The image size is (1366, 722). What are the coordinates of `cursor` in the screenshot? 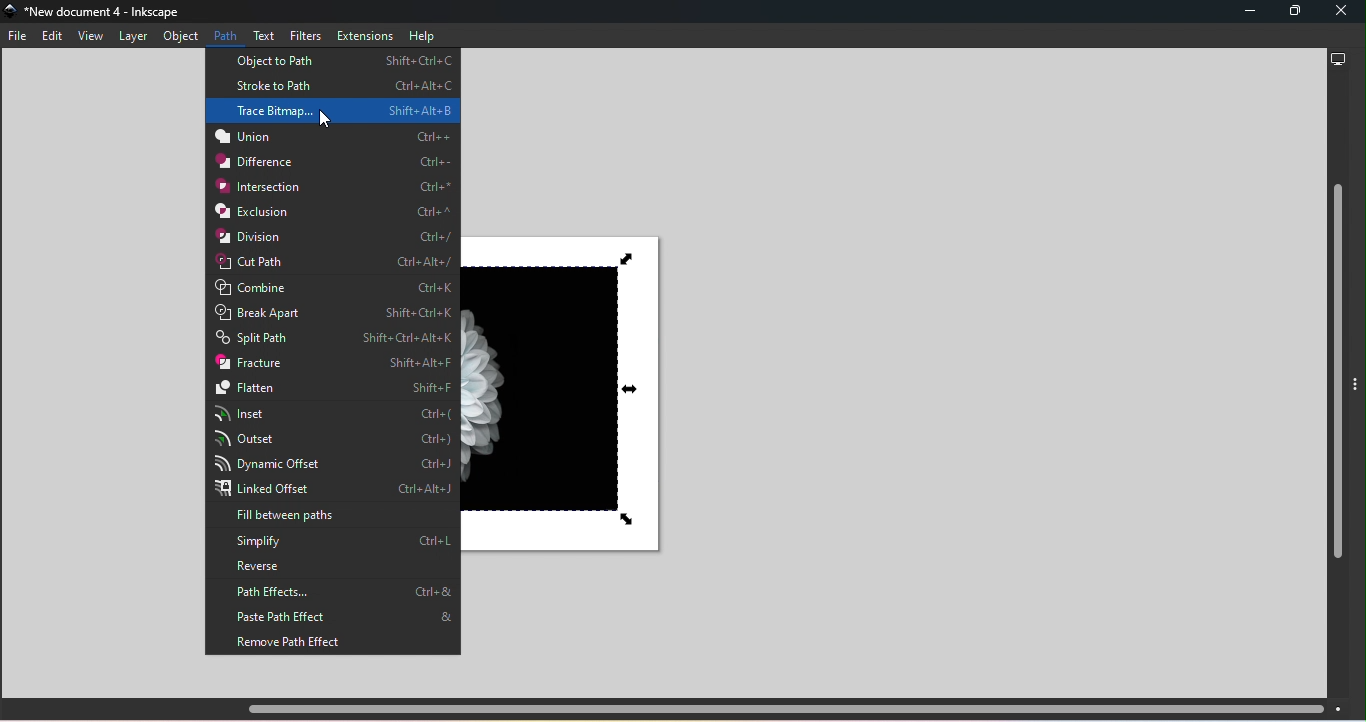 It's located at (323, 120).